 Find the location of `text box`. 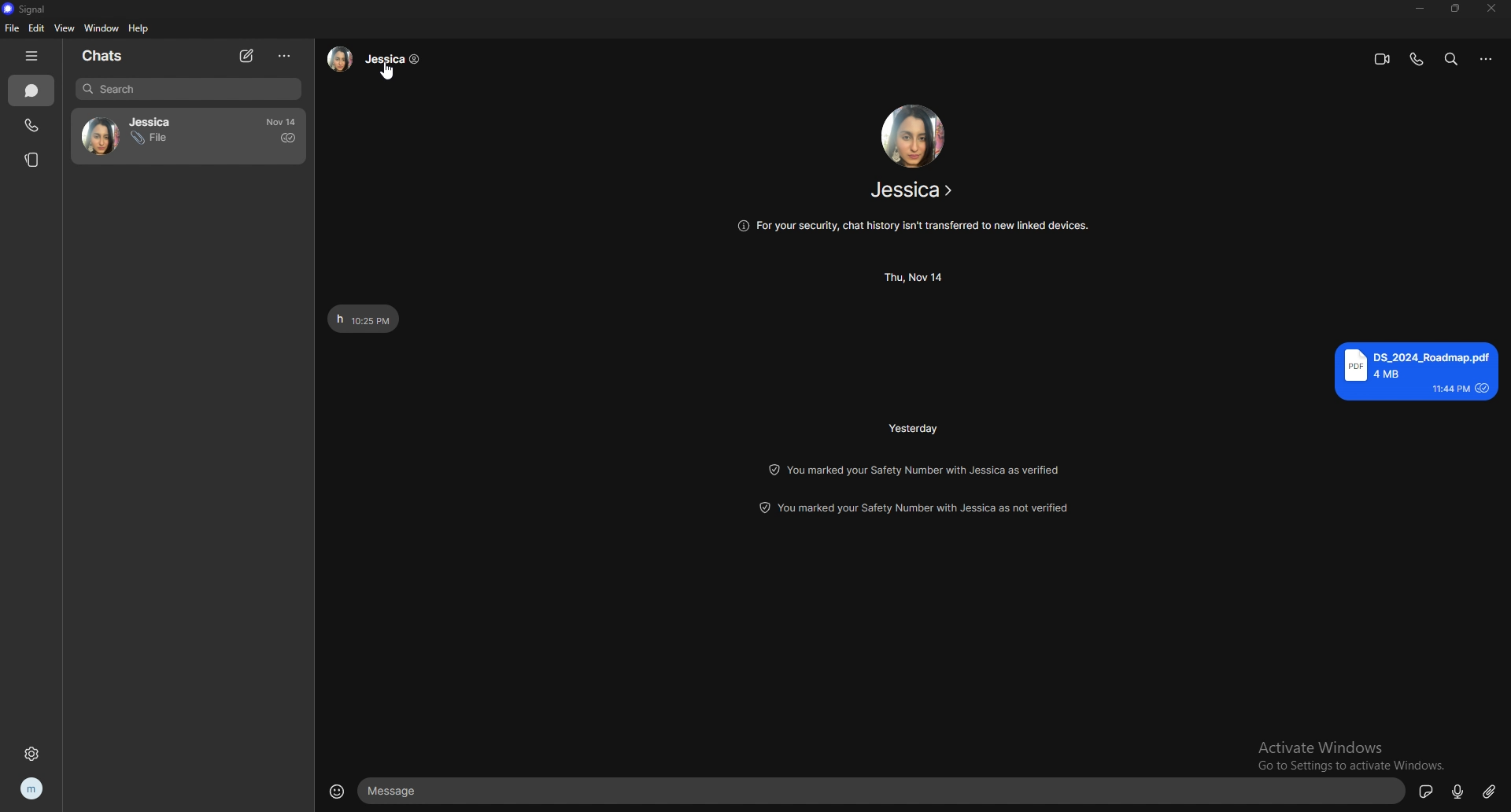

text box is located at coordinates (883, 792).